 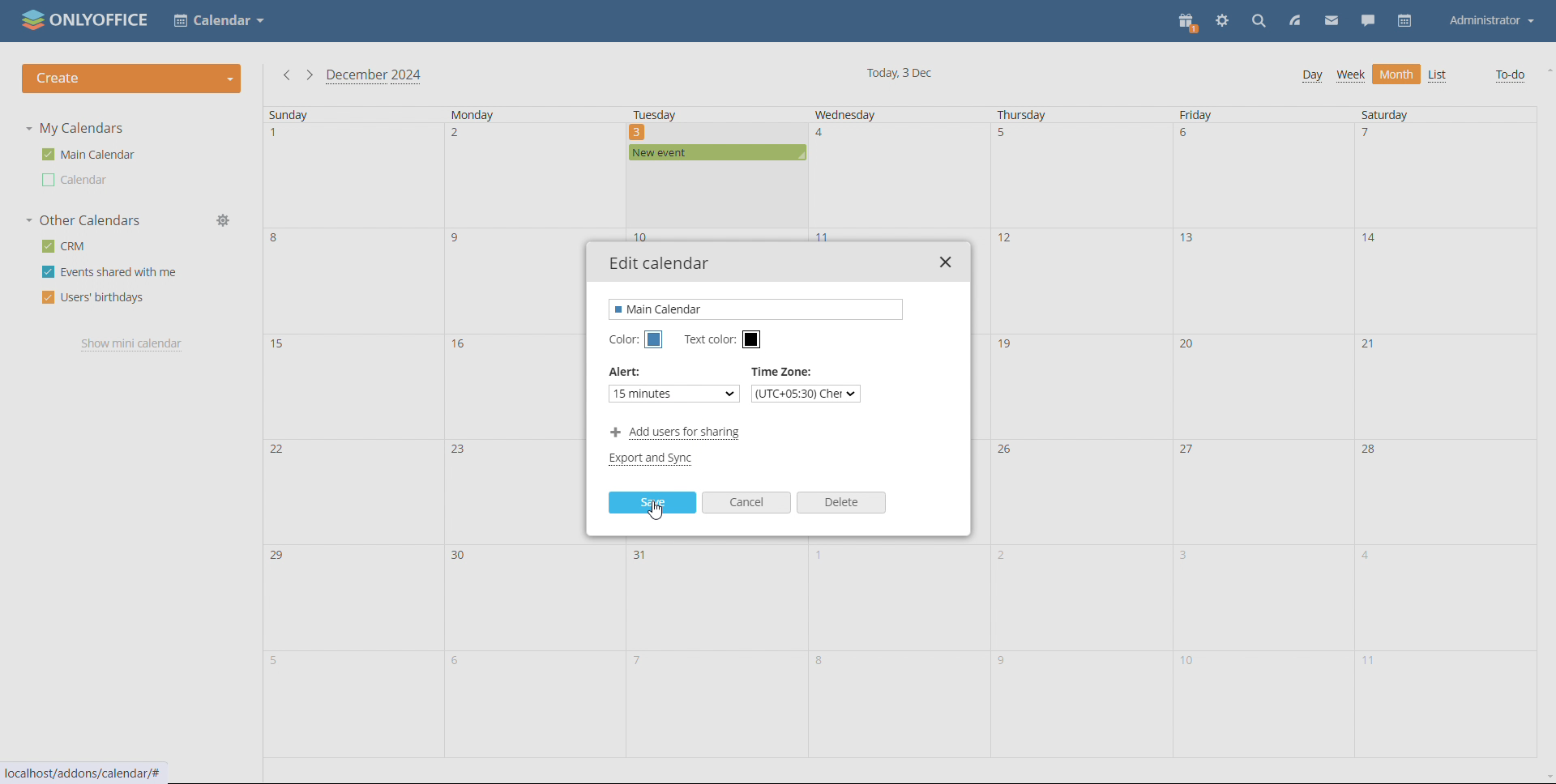 What do you see at coordinates (1297, 22) in the screenshot?
I see `feed` at bounding box center [1297, 22].